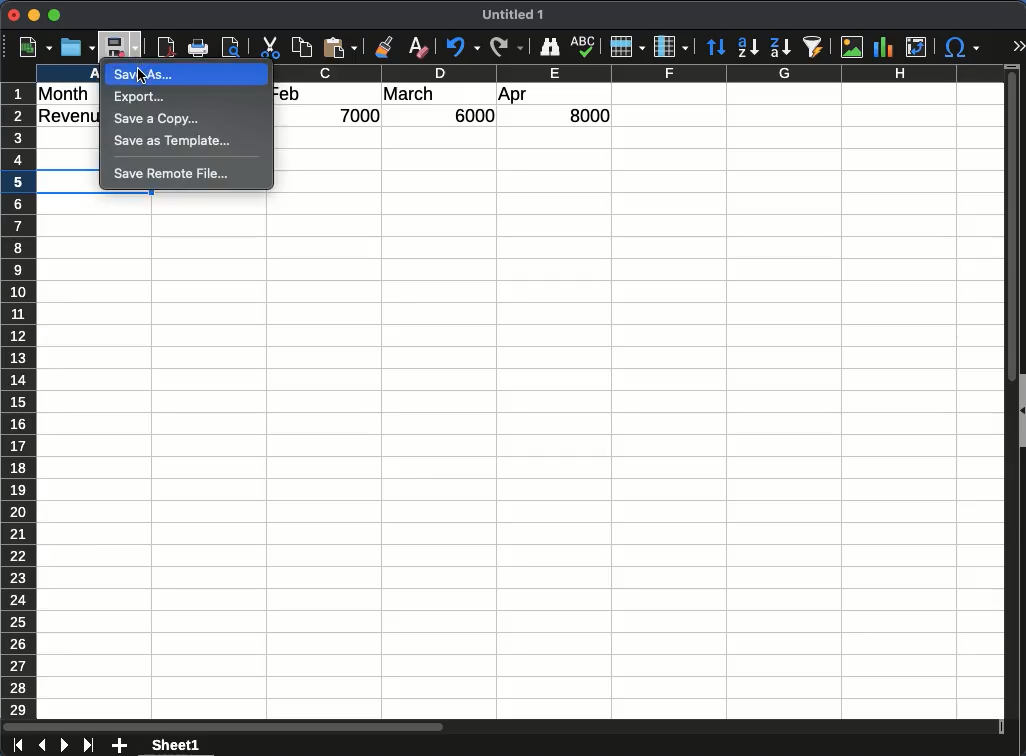  I want to click on paste, so click(342, 48).